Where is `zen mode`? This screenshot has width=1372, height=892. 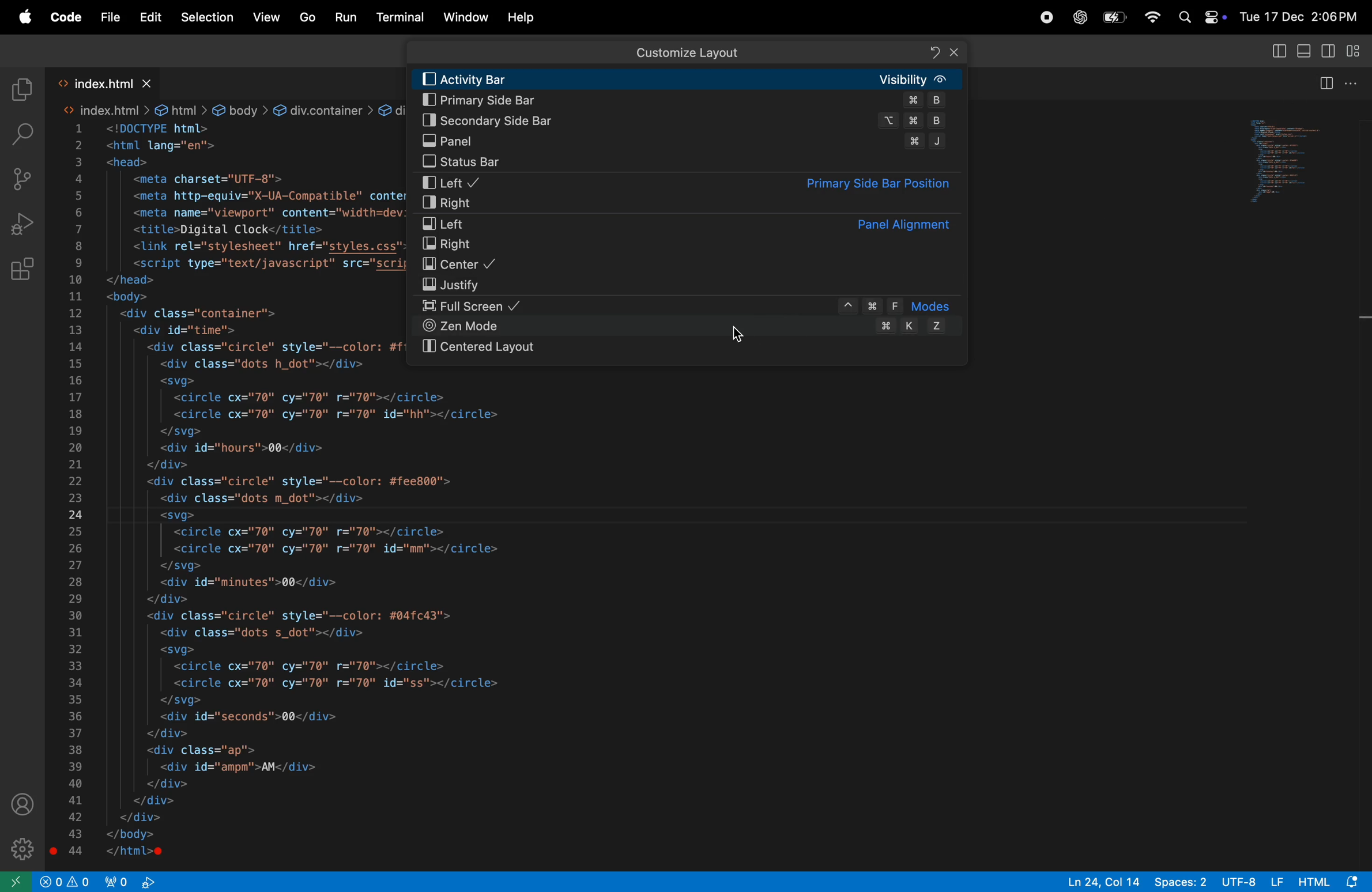 zen mode is located at coordinates (689, 326).